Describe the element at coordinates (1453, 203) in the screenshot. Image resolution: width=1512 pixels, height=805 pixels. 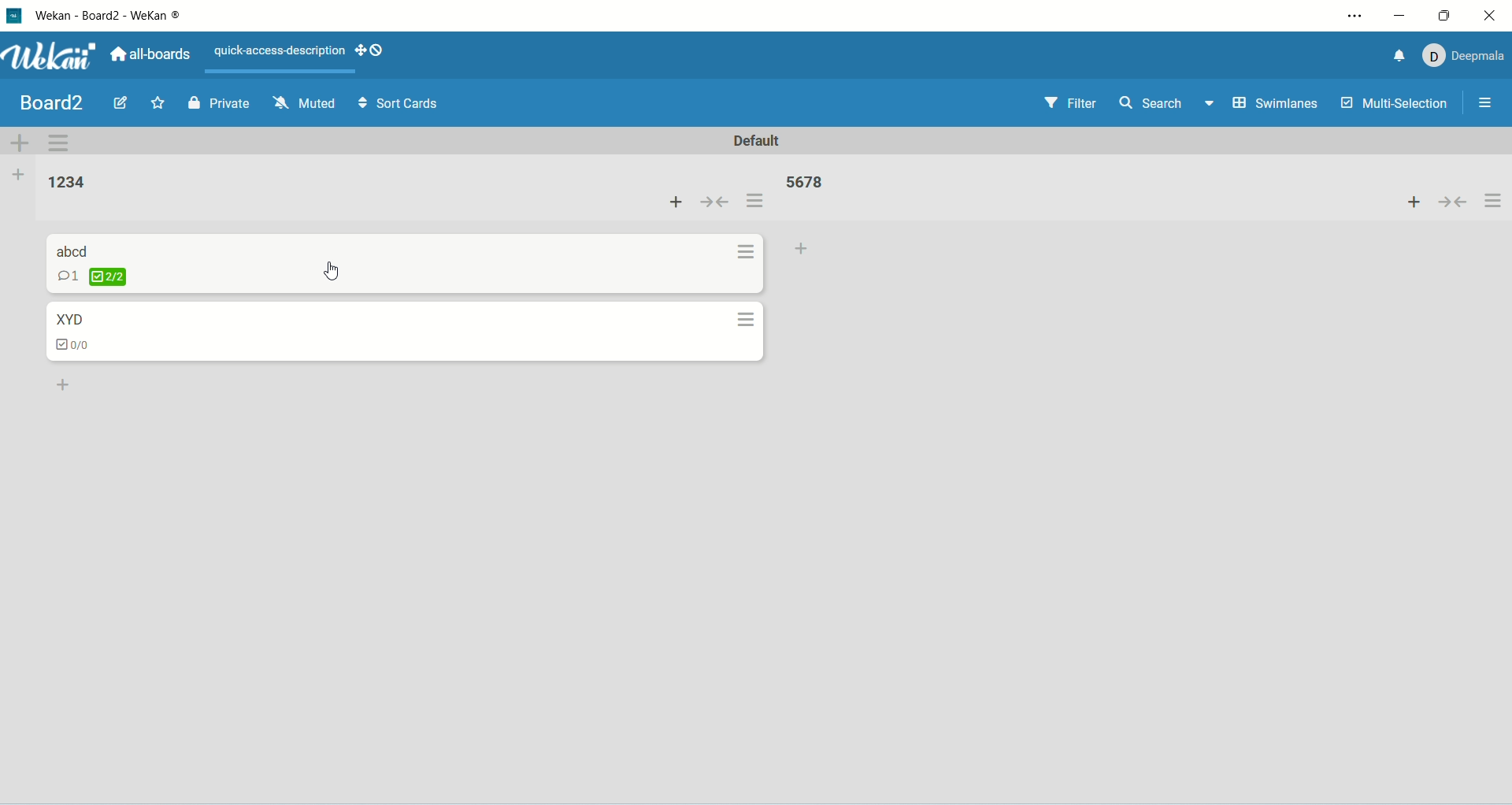
I see `collapse` at that location.